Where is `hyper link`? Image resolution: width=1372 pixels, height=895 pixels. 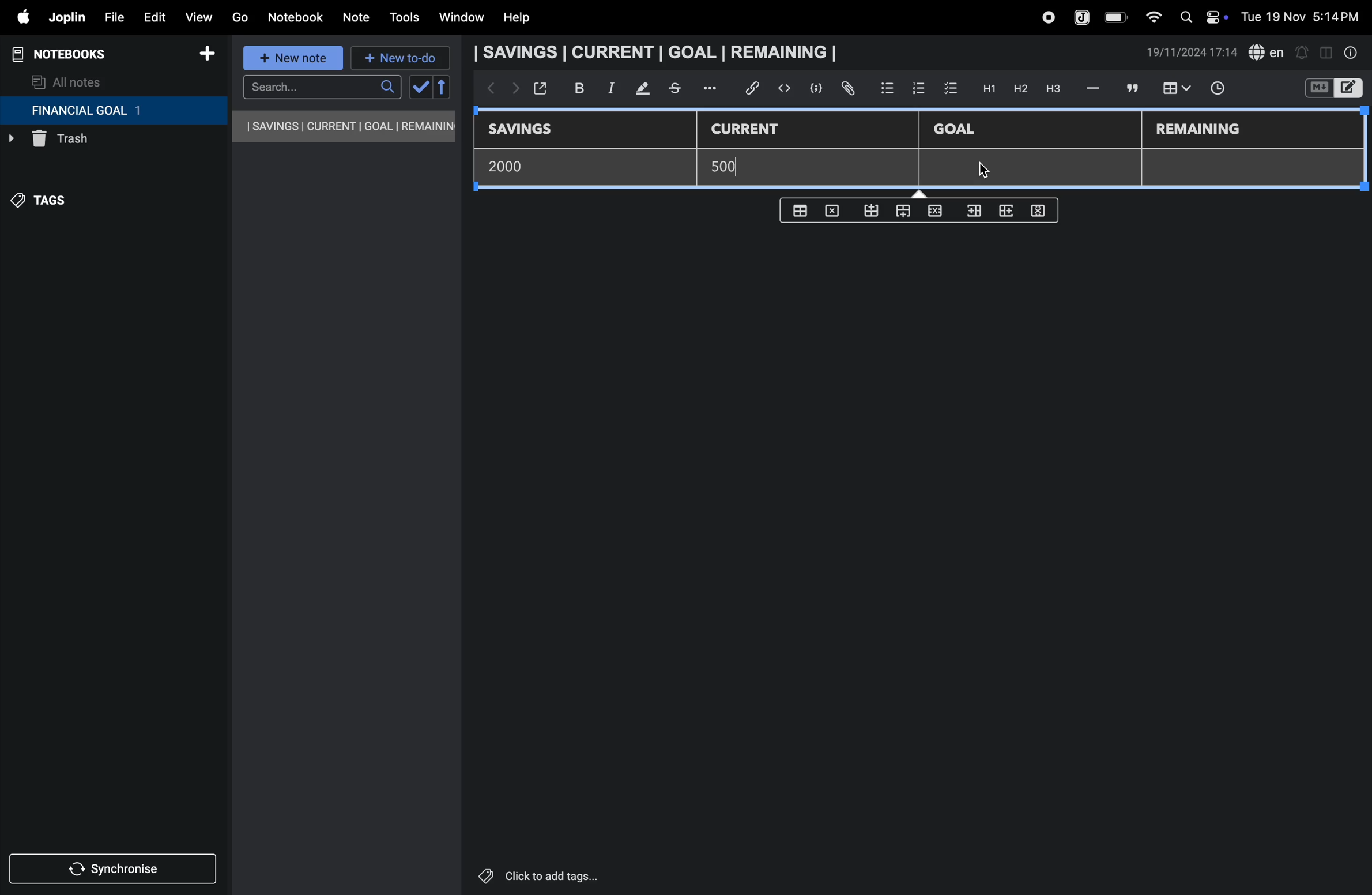 hyper link is located at coordinates (756, 88).